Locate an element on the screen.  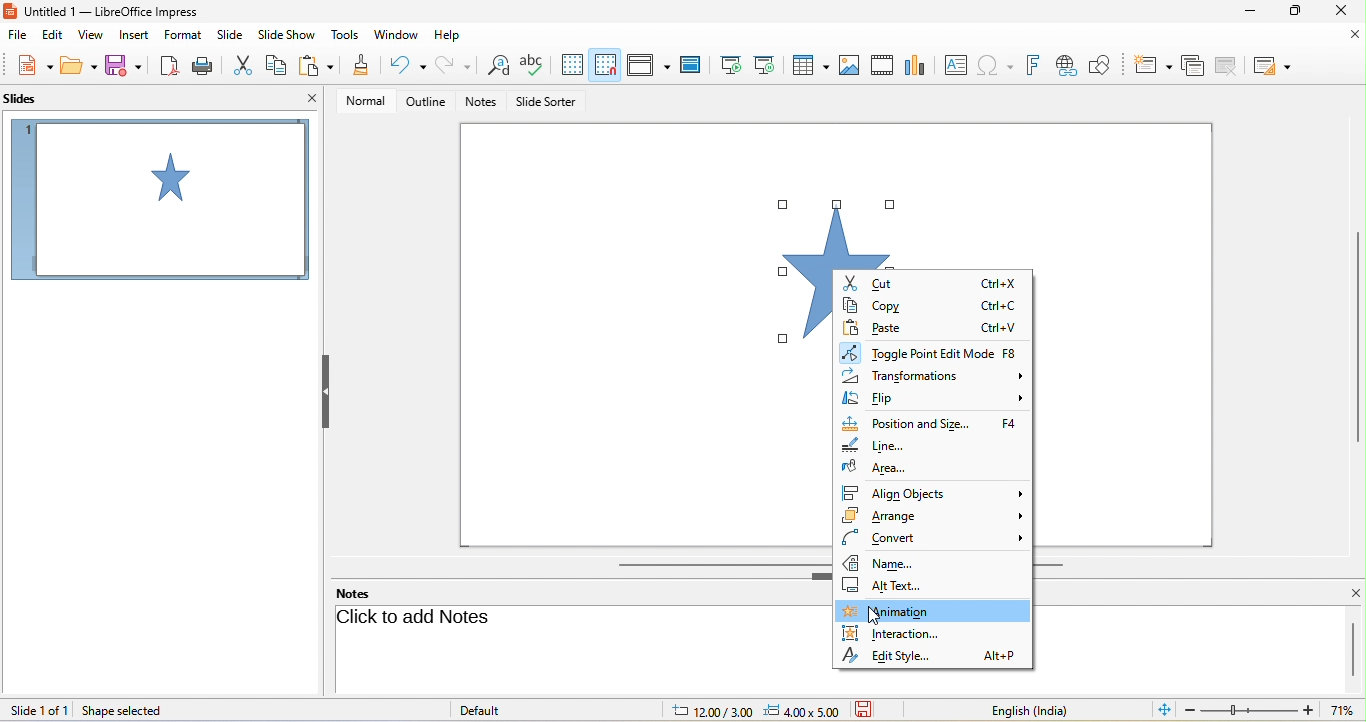
copy is located at coordinates (279, 65).